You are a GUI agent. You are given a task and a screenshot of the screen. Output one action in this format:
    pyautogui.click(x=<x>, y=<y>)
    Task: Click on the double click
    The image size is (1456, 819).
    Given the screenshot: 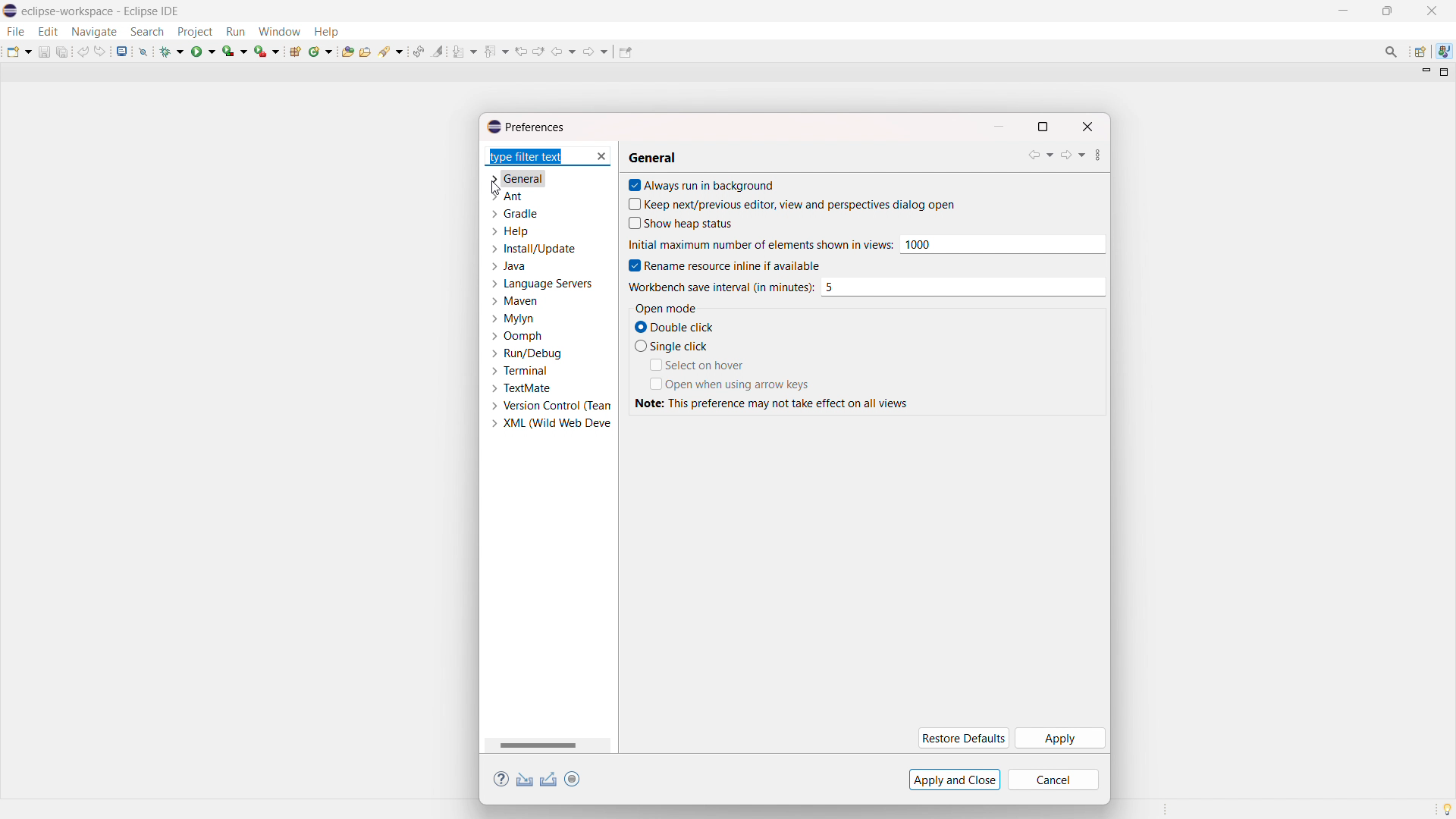 What is the action you would take?
    pyautogui.click(x=685, y=327)
    